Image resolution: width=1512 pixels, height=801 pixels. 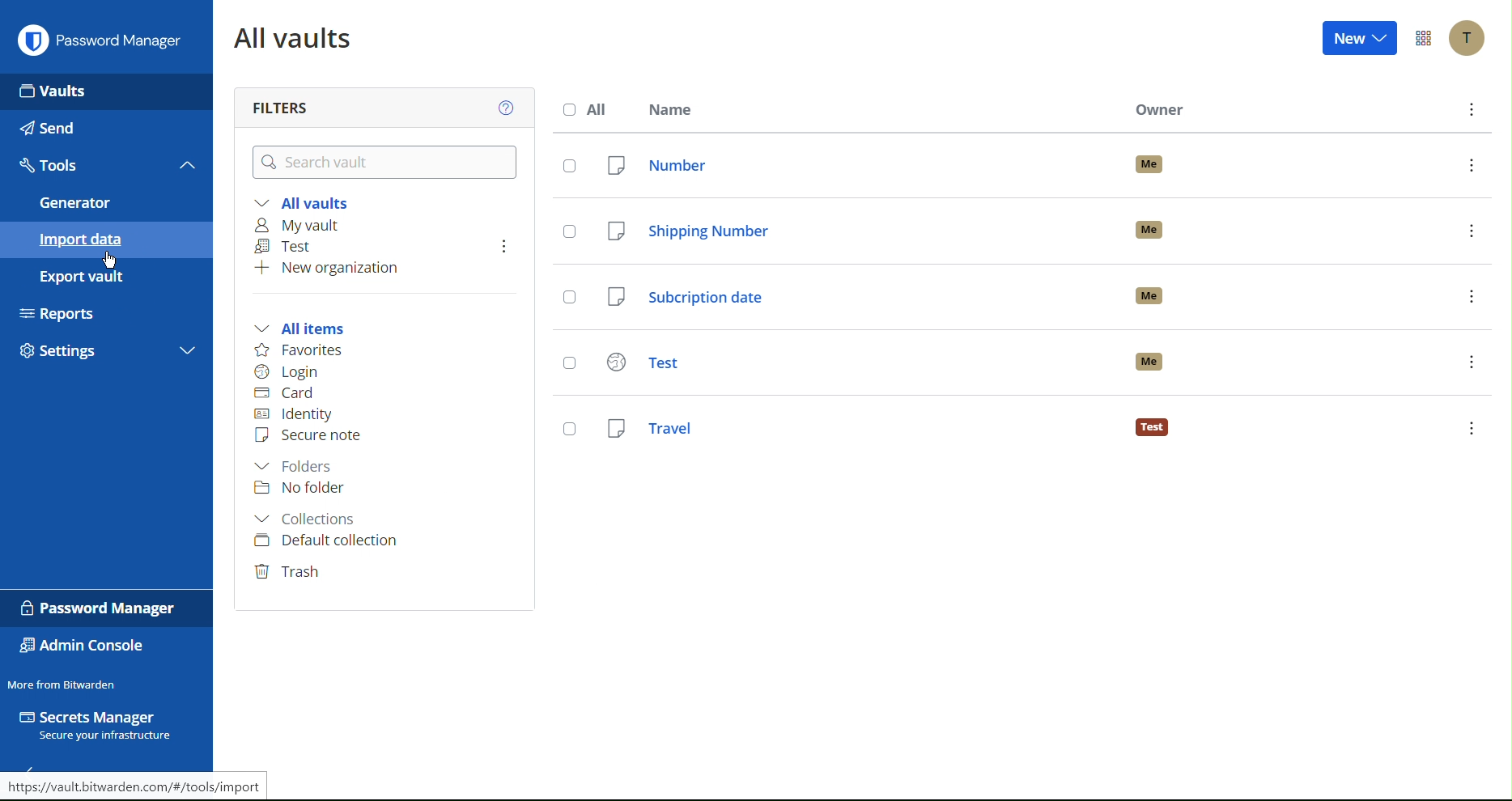 I want to click on Admin Console, so click(x=83, y=647).